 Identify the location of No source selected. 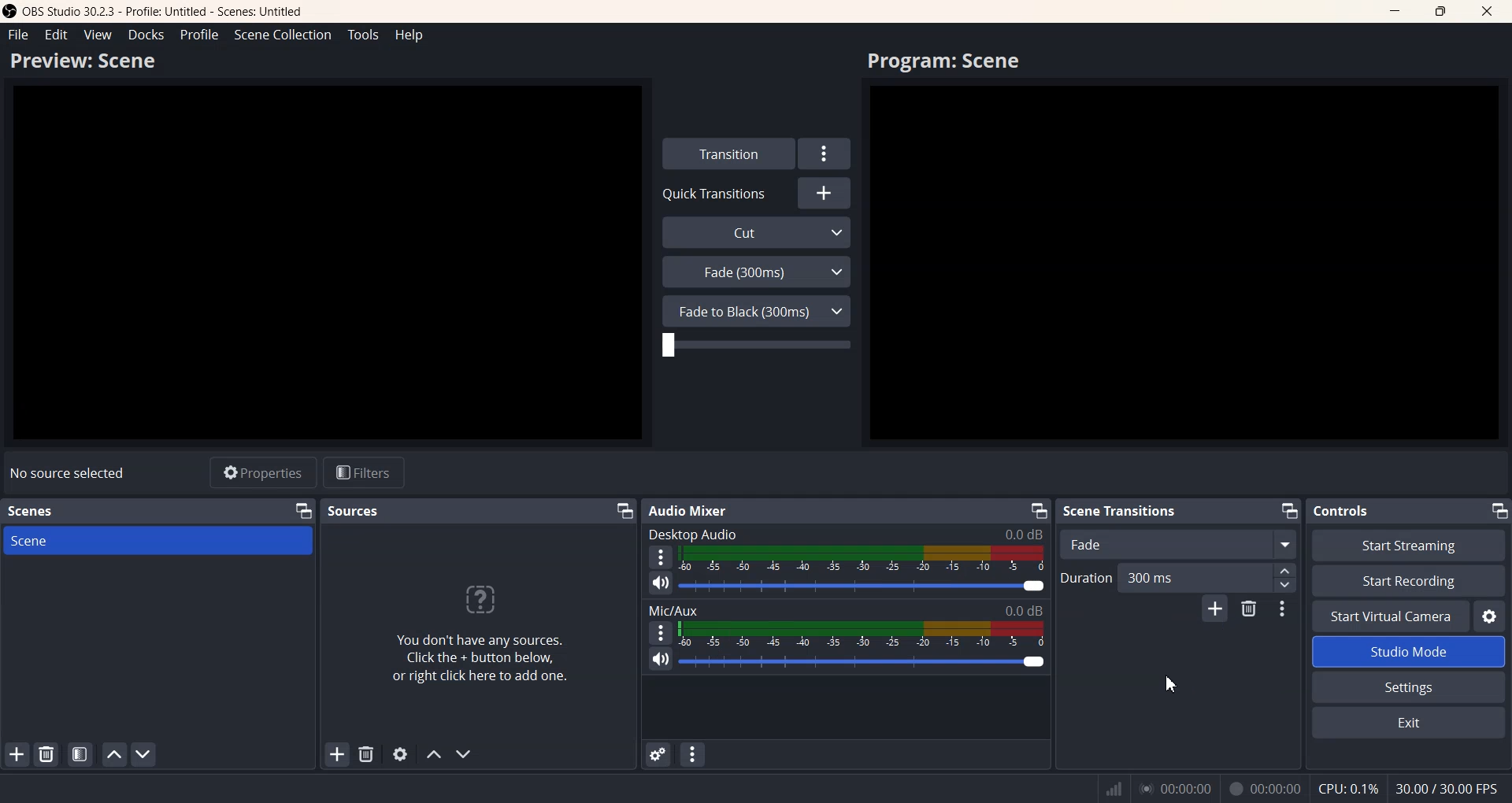
(70, 473).